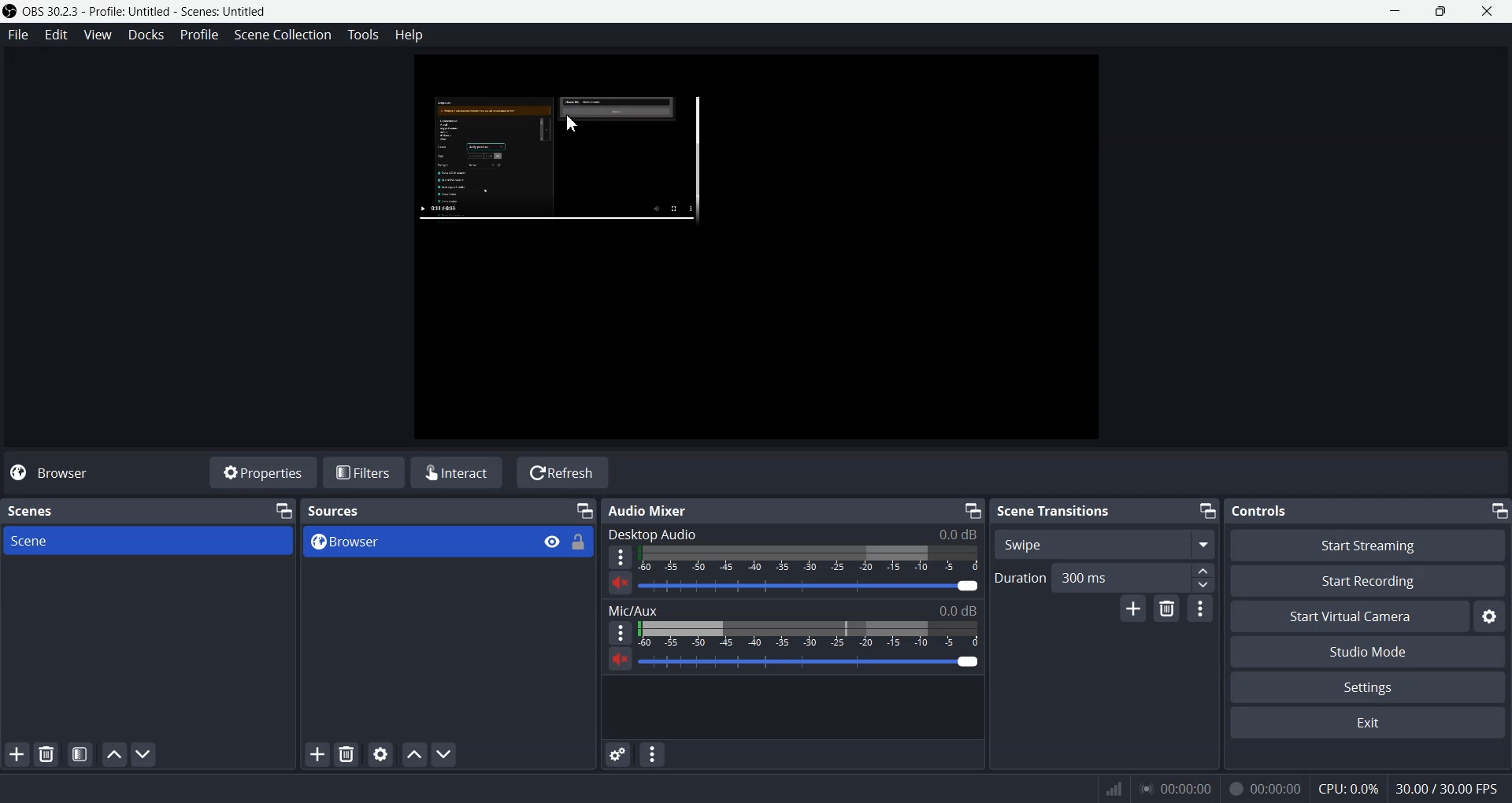  Describe the element at coordinates (1366, 724) in the screenshot. I see `Exit` at that location.